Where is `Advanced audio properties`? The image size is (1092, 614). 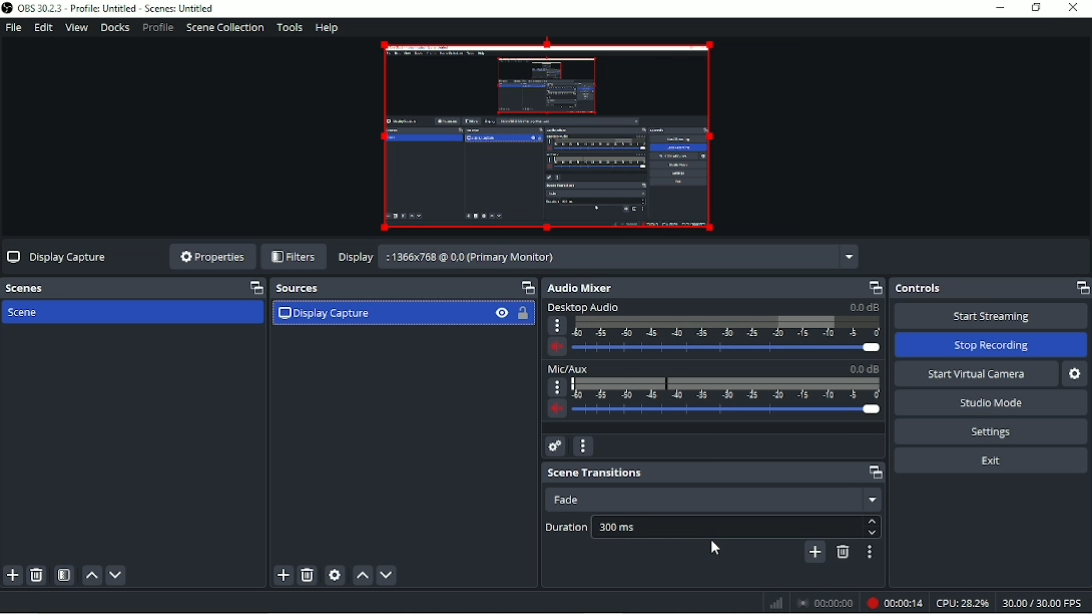
Advanced audio properties is located at coordinates (557, 446).